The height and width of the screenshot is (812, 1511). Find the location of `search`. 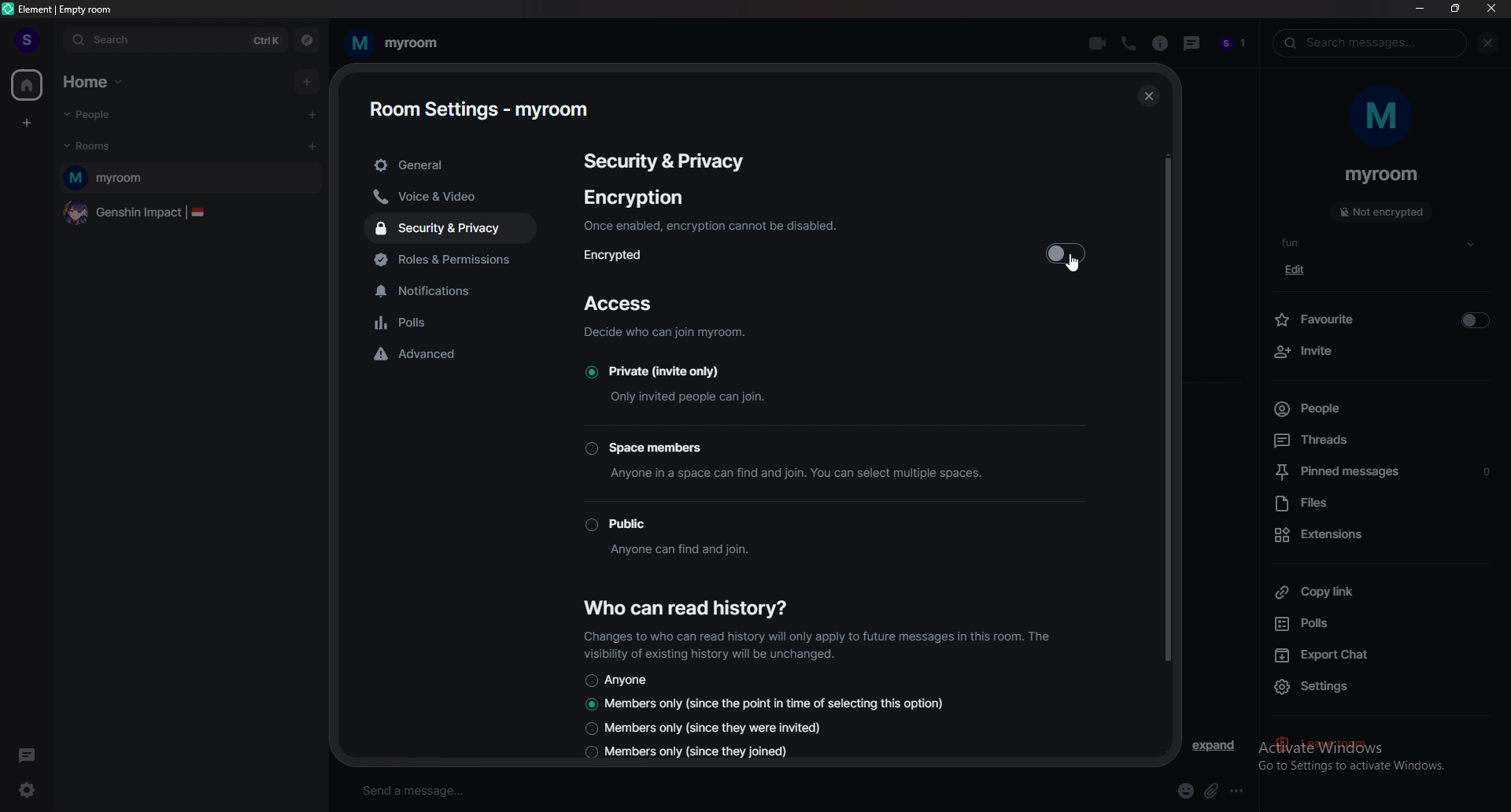

search is located at coordinates (139, 42).